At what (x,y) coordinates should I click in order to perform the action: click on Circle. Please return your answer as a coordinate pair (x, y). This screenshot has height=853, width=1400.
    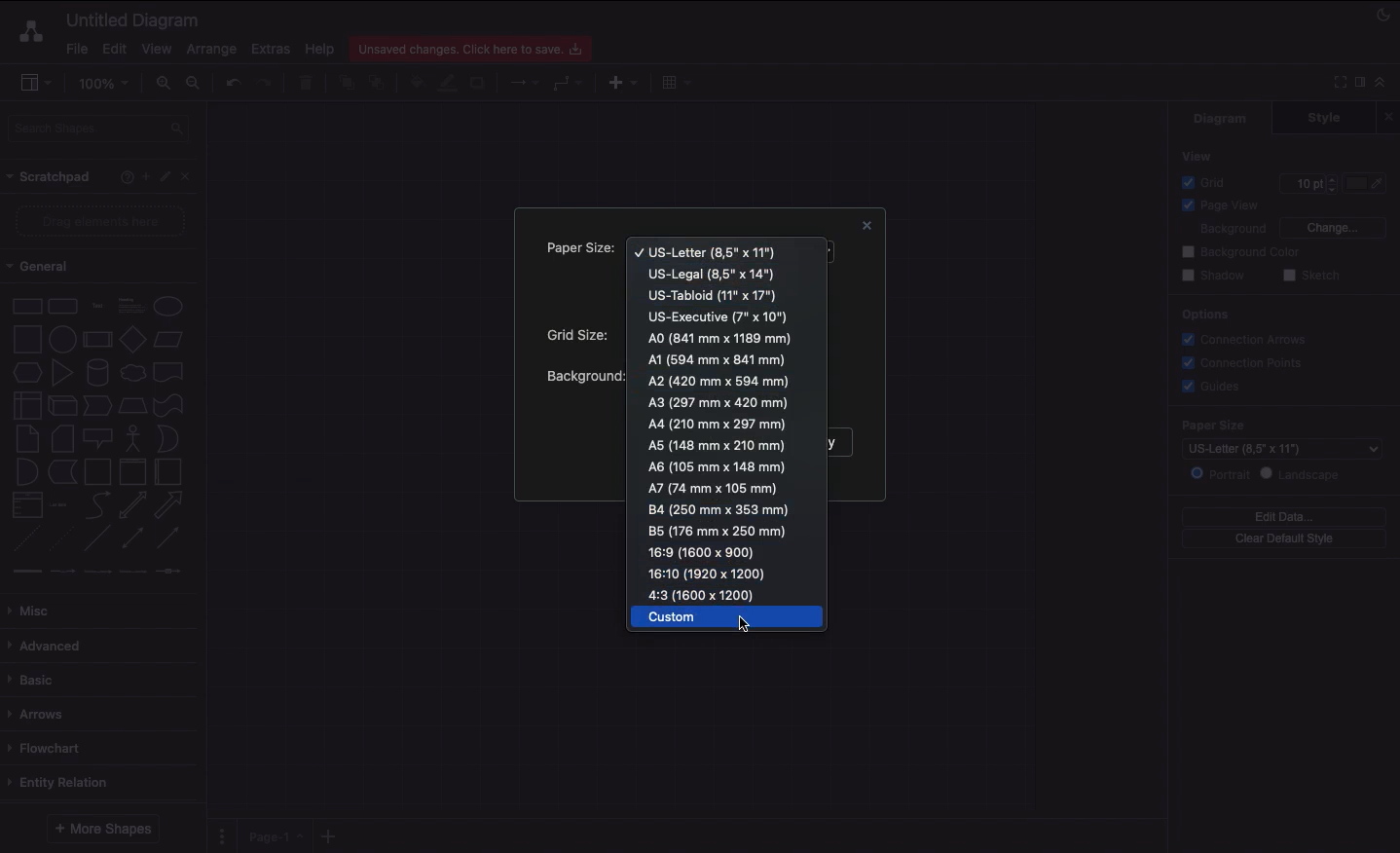
    Looking at the image, I should click on (62, 337).